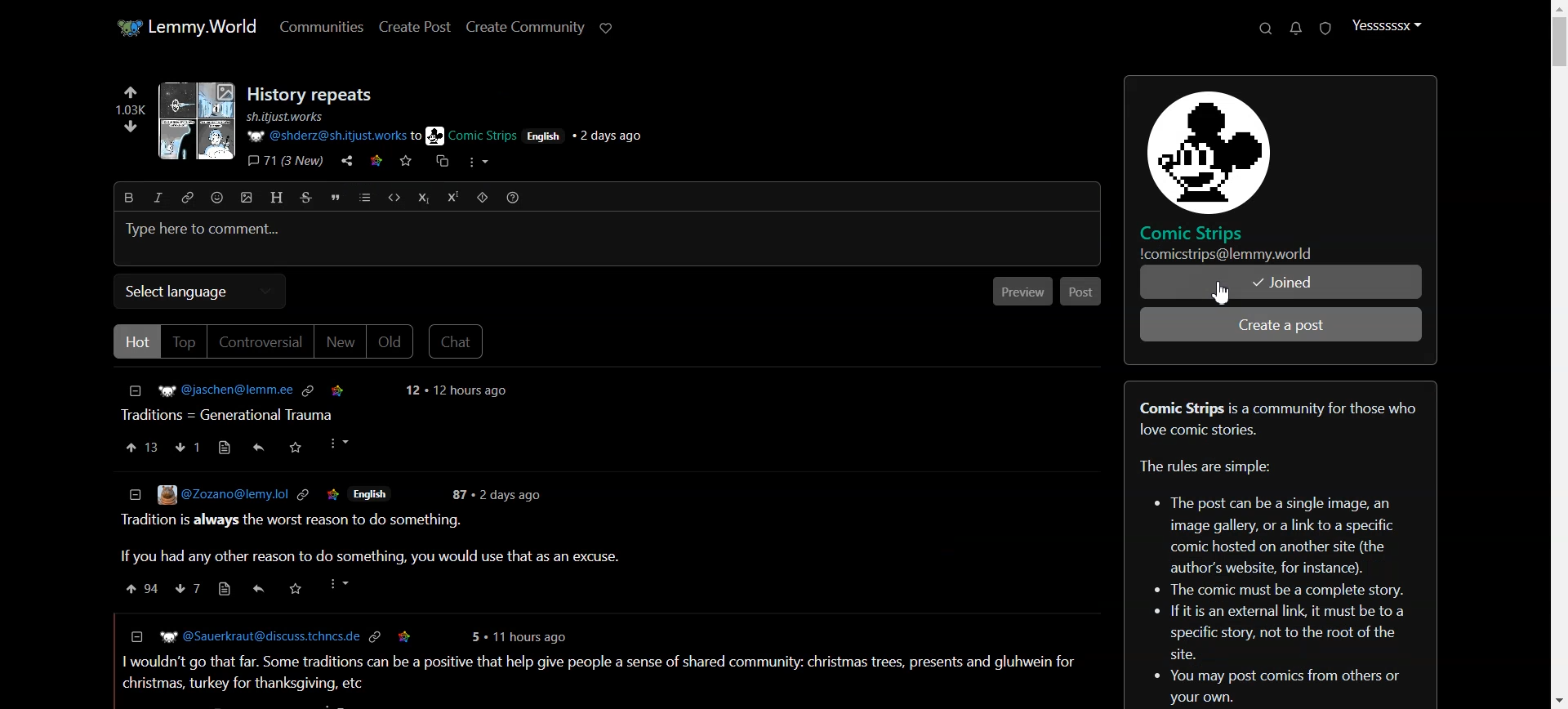 The width and height of the screenshot is (1568, 709). What do you see at coordinates (457, 341) in the screenshot?
I see `Chat` at bounding box center [457, 341].